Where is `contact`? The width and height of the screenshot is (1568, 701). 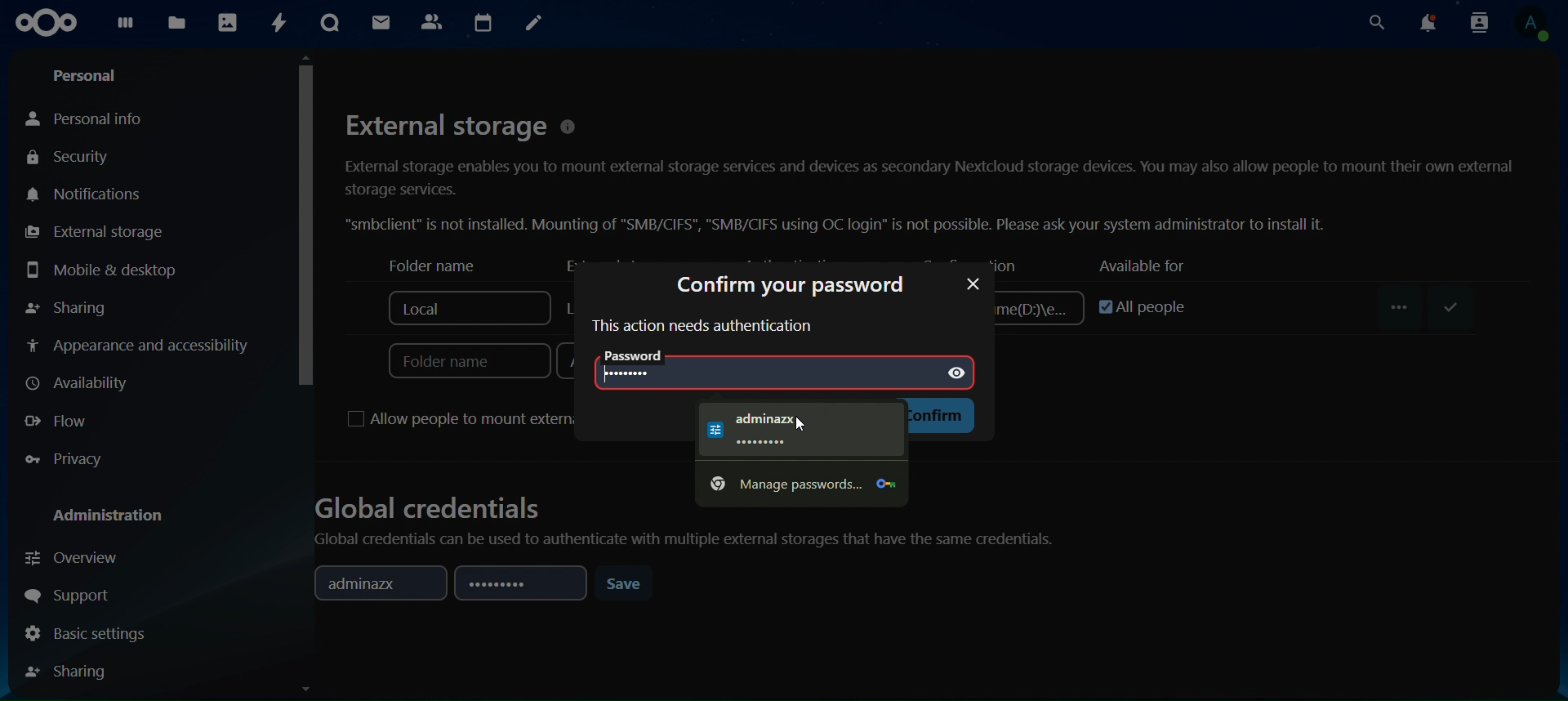 contact is located at coordinates (433, 22).